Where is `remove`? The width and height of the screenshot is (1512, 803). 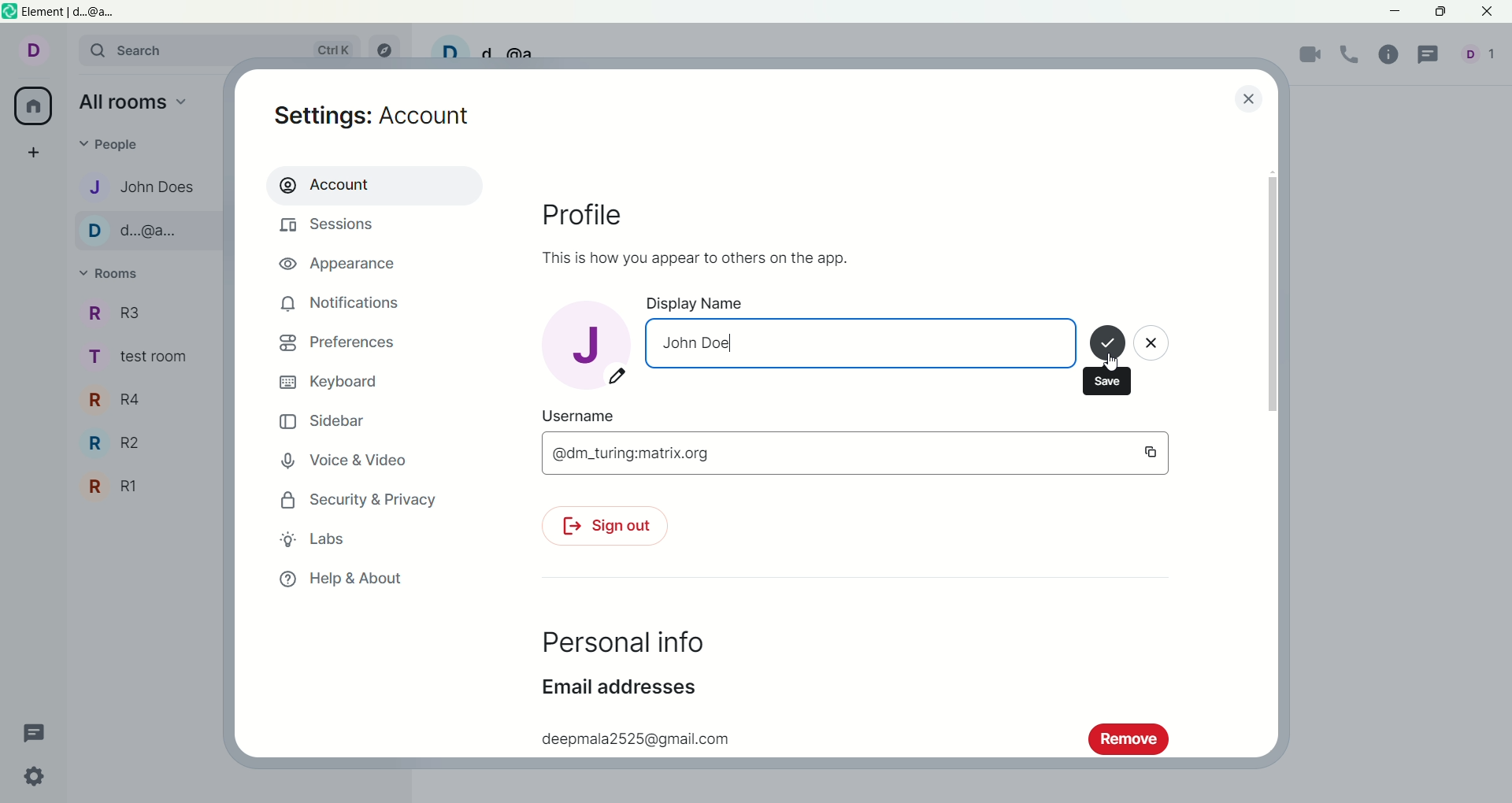
remove is located at coordinates (1128, 738).